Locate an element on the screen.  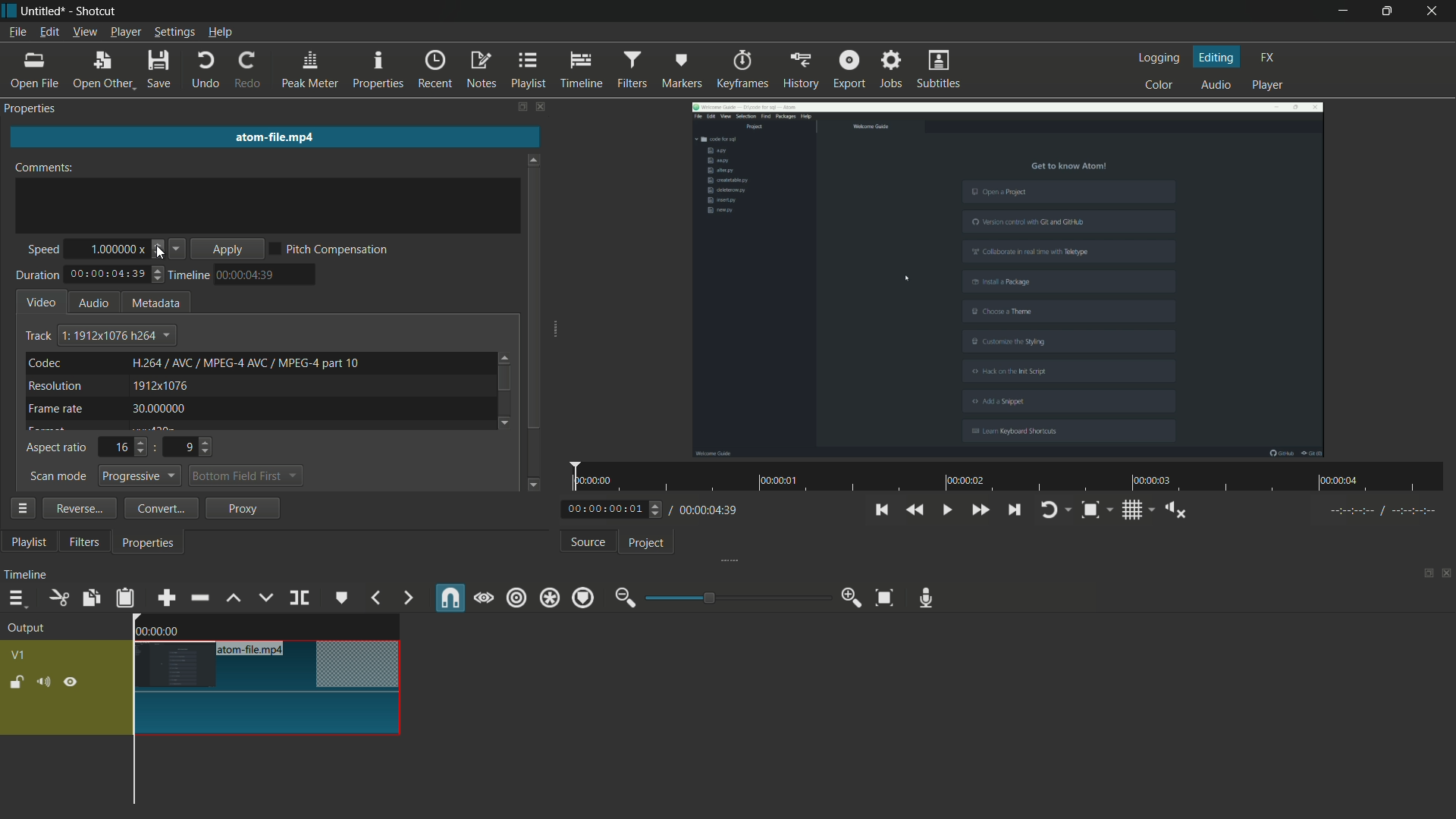
track is located at coordinates (37, 336).